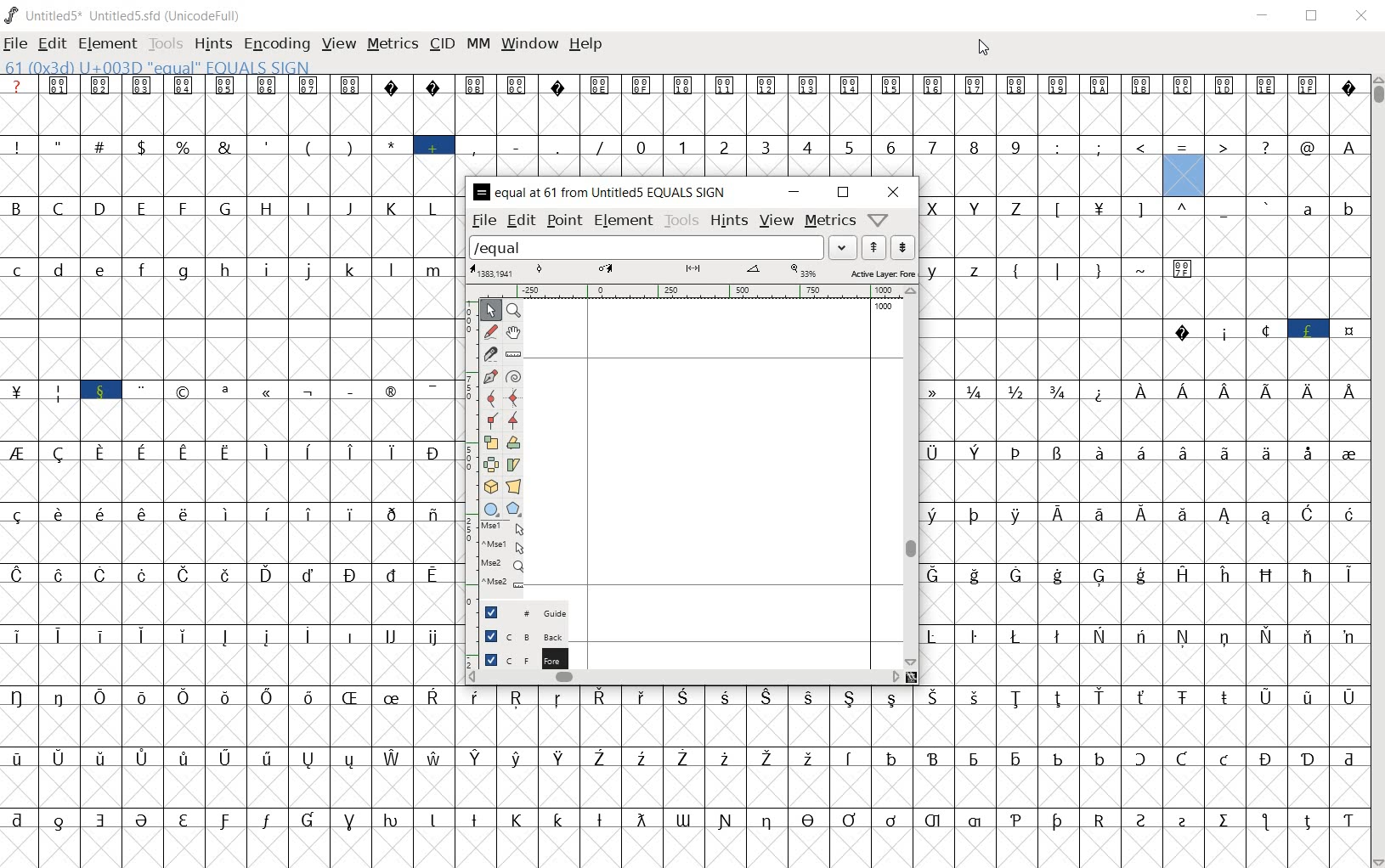 The width and height of the screenshot is (1385, 868). Describe the element at coordinates (489, 352) in the screenshot. I see `cut splines in two` at that location.